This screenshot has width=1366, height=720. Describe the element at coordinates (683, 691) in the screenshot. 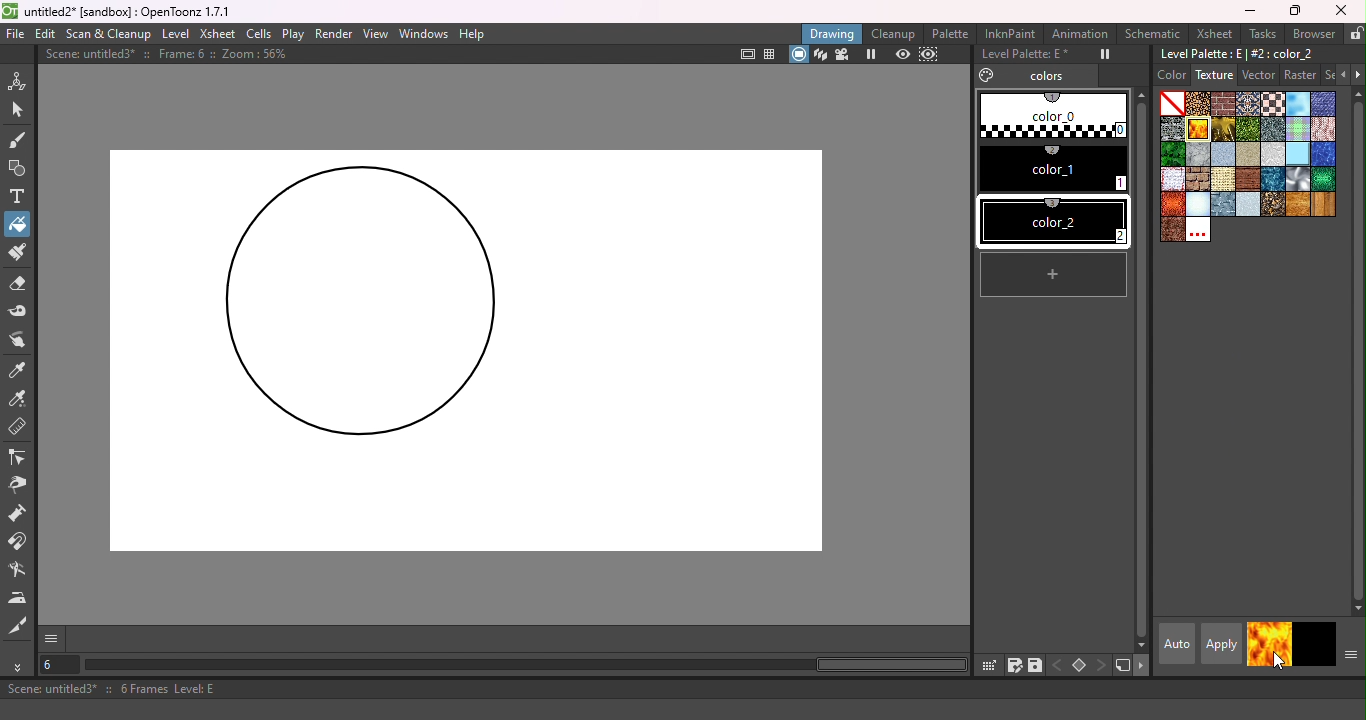

I see `Scene: untitled3* :: 6 Frames Level: E` at that location.